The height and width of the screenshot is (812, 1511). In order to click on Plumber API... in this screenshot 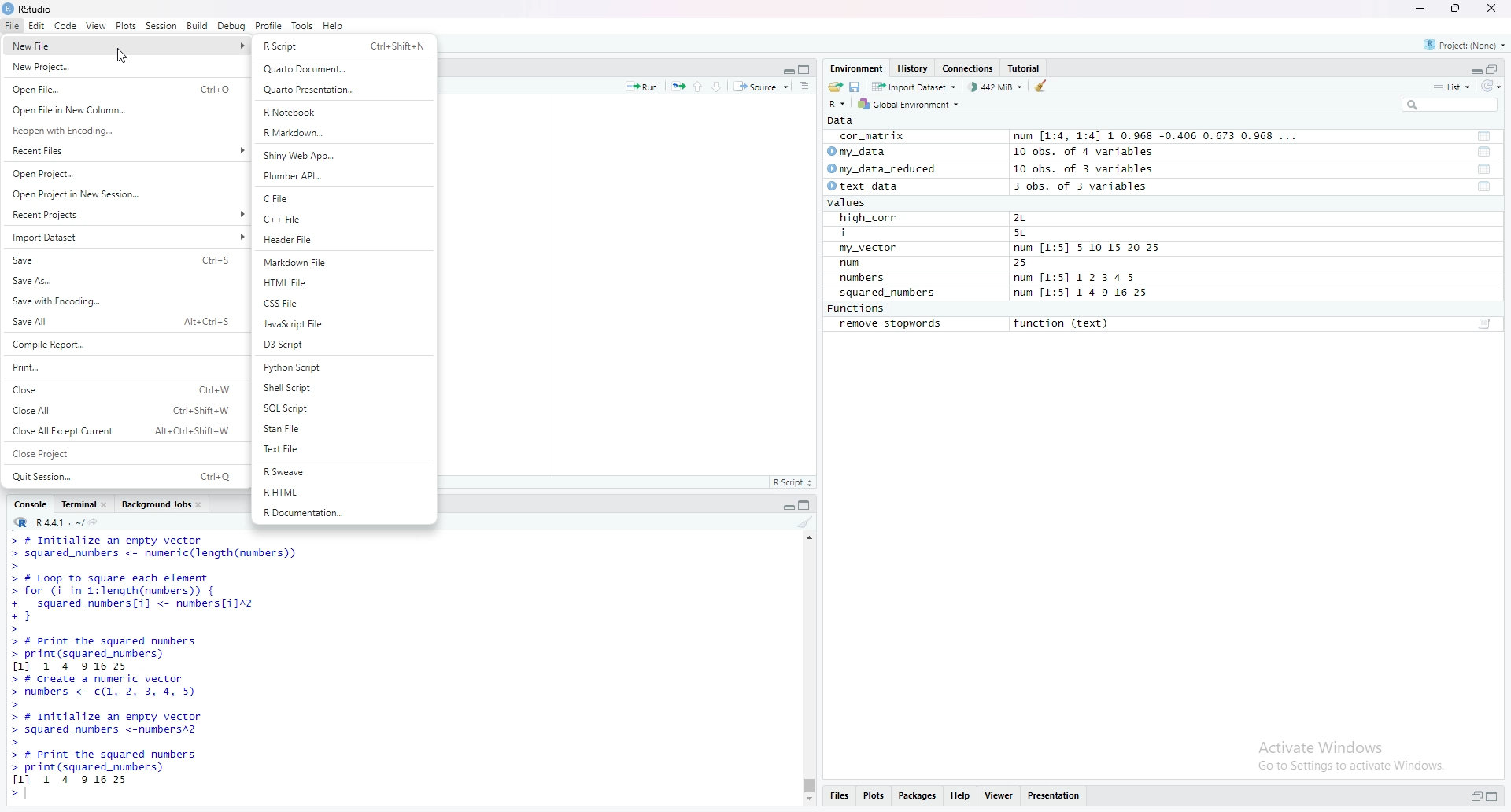, I will do `click(342, 175)`.